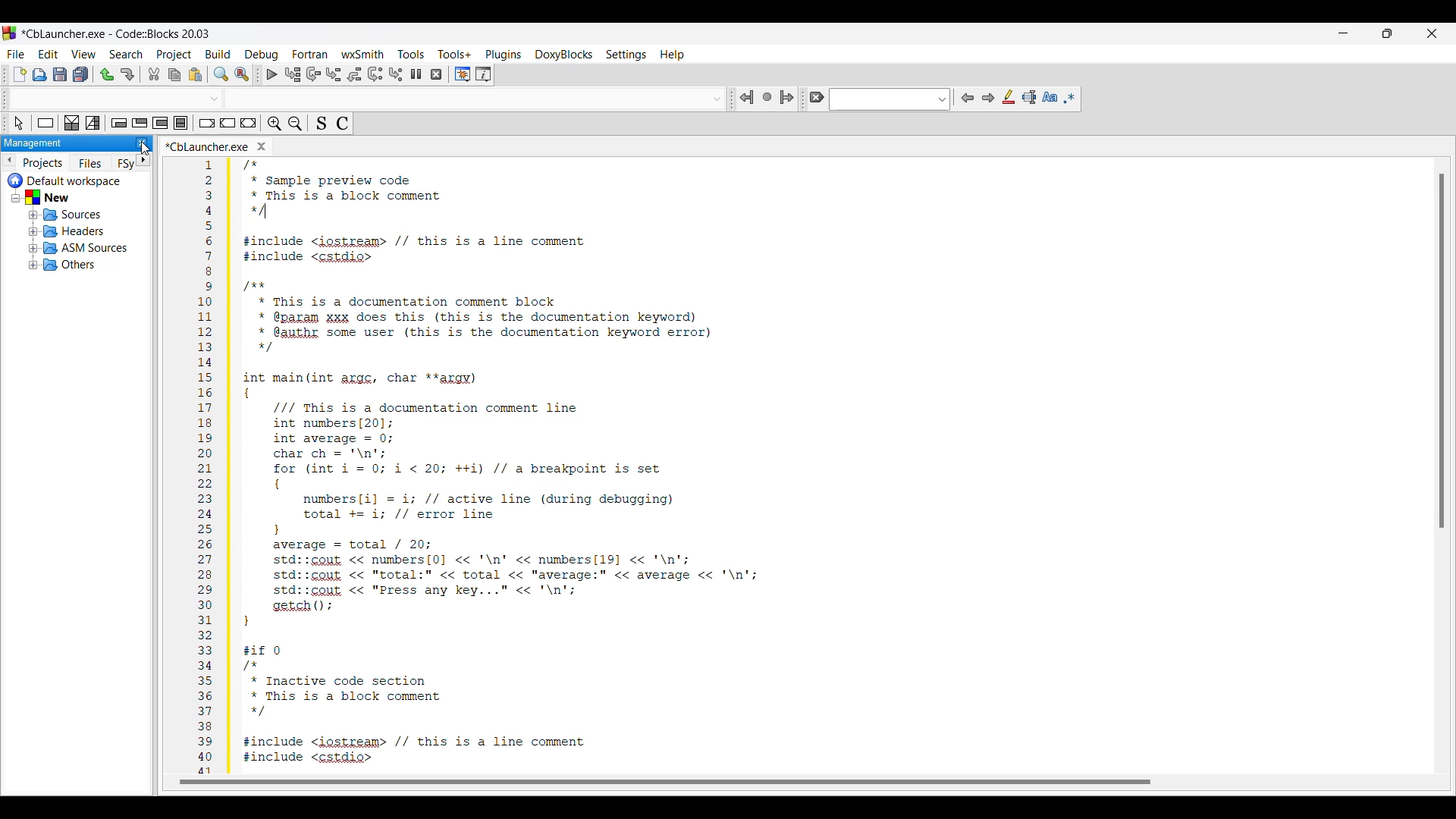 The image size is (1456, 819). I want to click on Horizontal slide bar, so click(666, 782).